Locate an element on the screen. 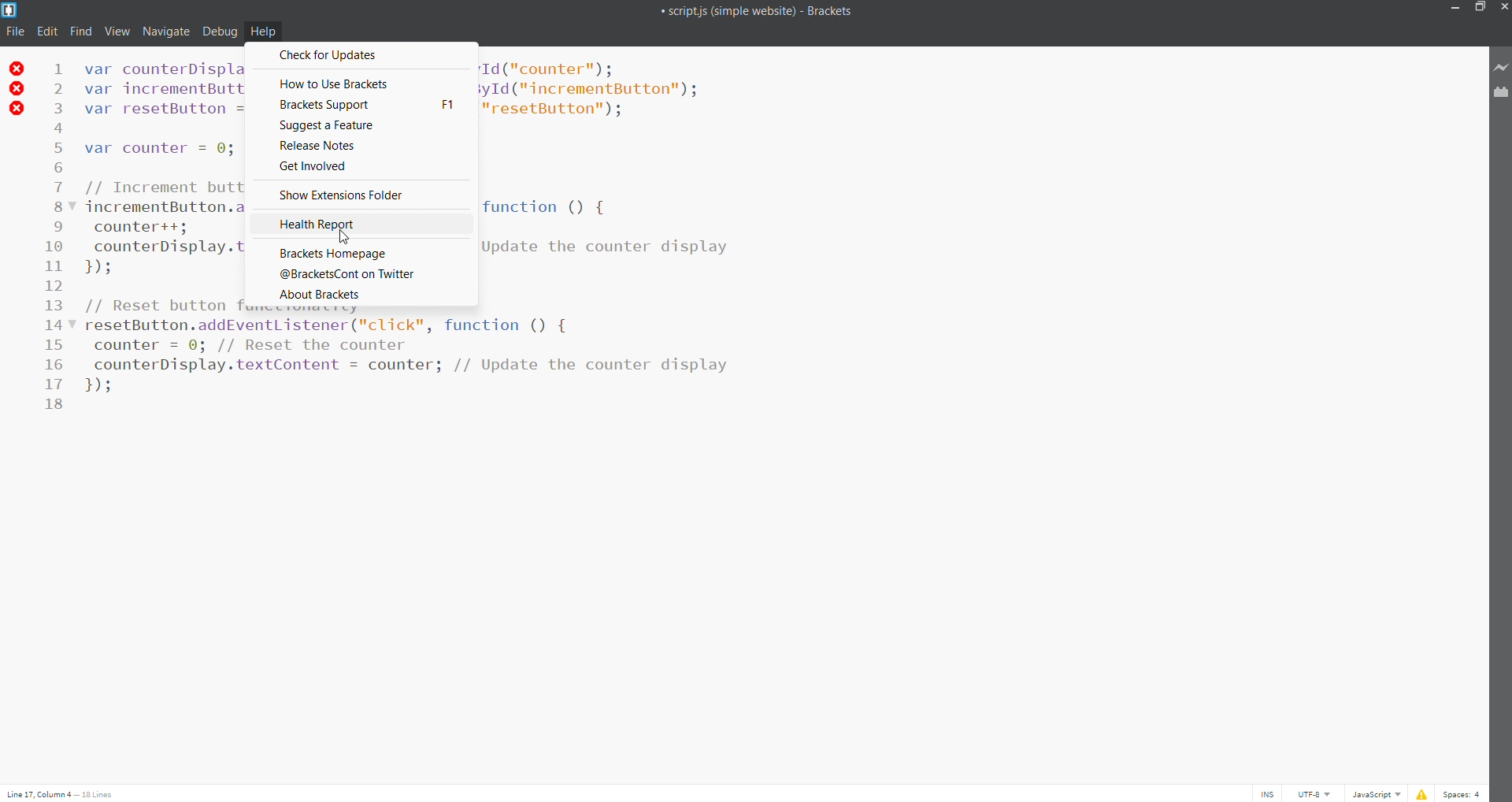  @BracketsCont on twitter is located at coordinates (361, 273).